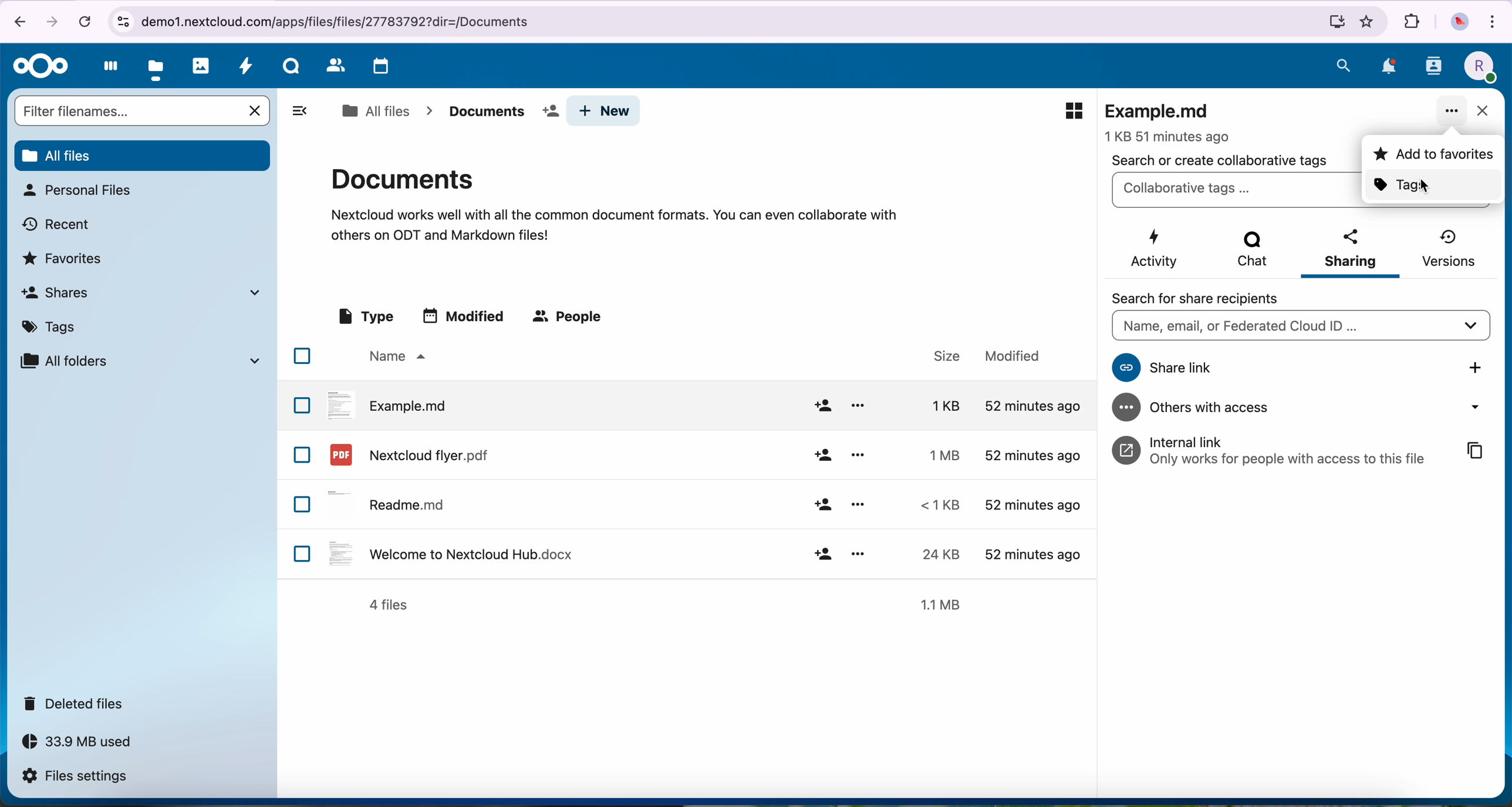 This screenshot has height=807, width=1512. What do you see at coordinates (303, 553) in the screenshot?
I see `checkbox` at bounding box center [303, 553].